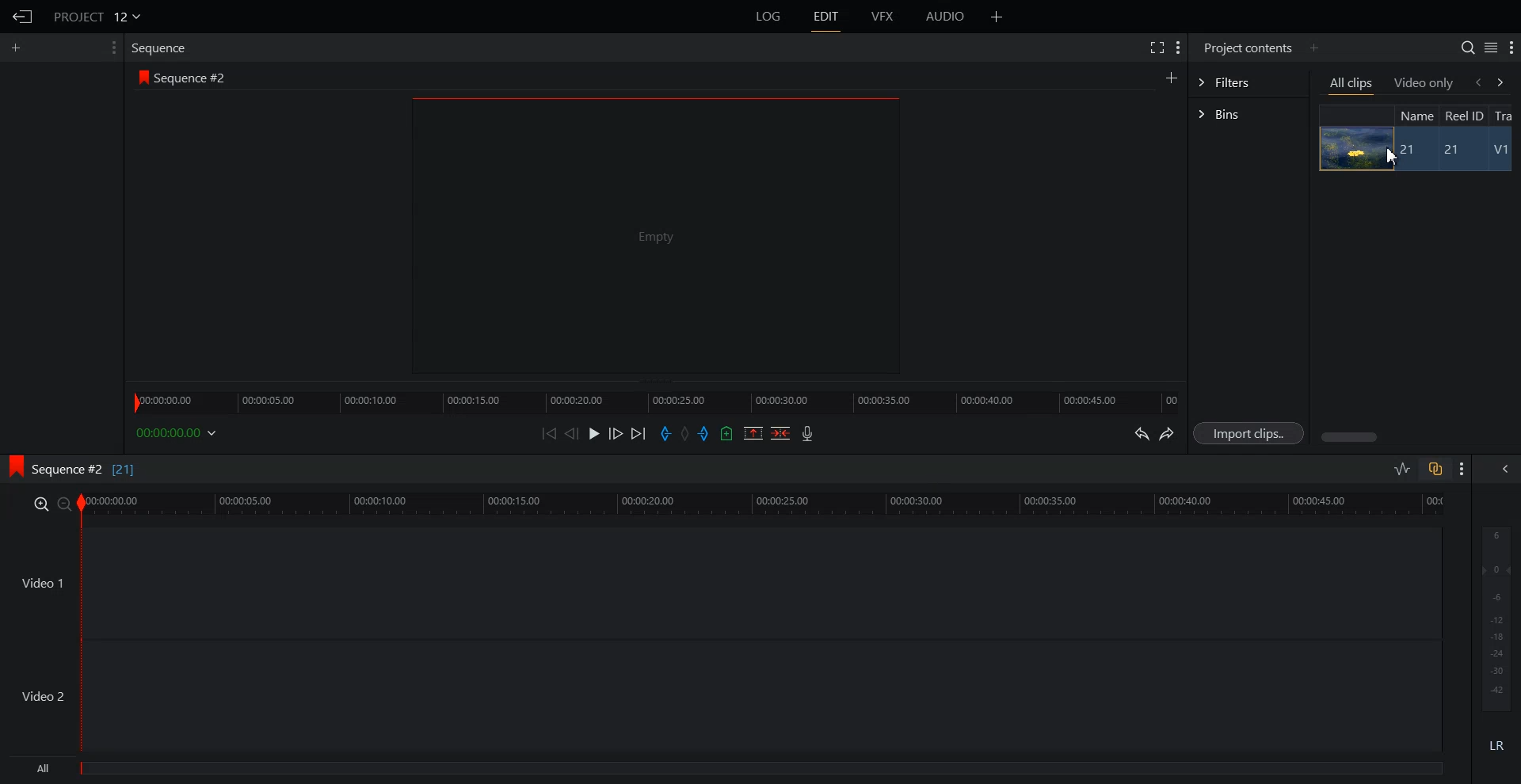 The height and width of the screenshot is (784, 1521). Describe the element at coordinates (827, 17) in the screenshot. I see `EDIT` at that location.